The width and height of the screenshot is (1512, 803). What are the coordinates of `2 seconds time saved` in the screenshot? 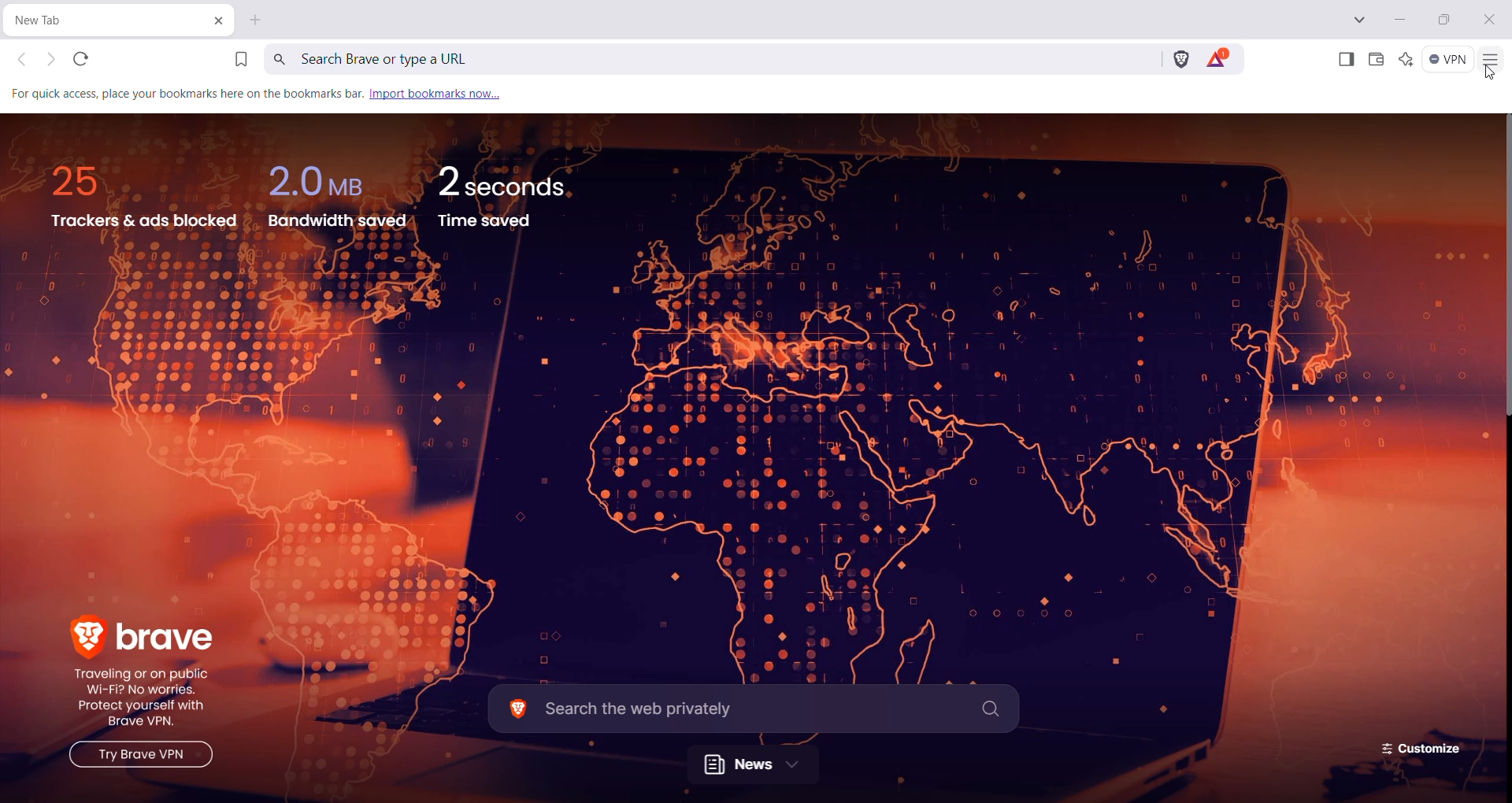 It's located at (504, 196).